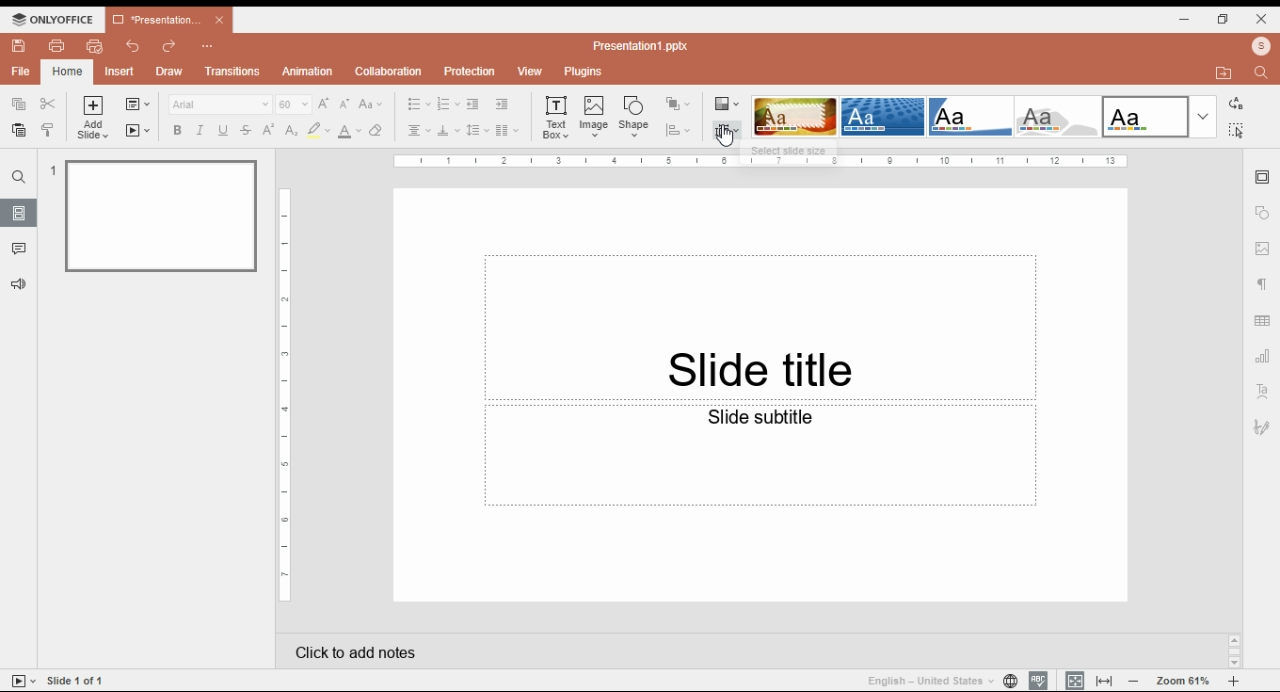 Image resolution: width=1280 pixels, height=692 pixels. What do you see at coordinates (417, 132) in the screenshot?
I see `horizontal alignment` at bounding box center [417, 132].